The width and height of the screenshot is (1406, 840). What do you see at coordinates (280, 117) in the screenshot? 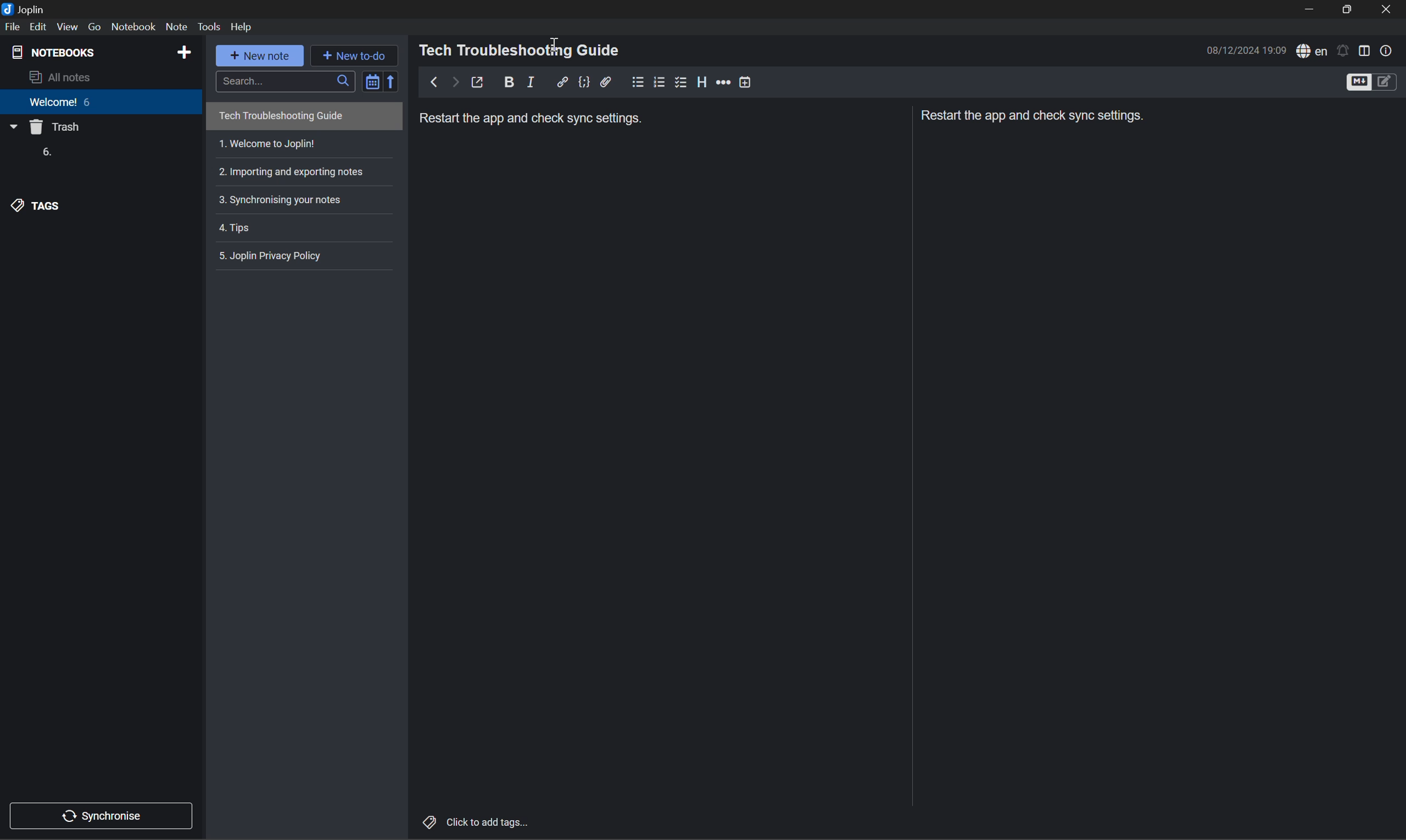
I see `Tech Troubleshooting Guide` at bounding box center [280, 117].